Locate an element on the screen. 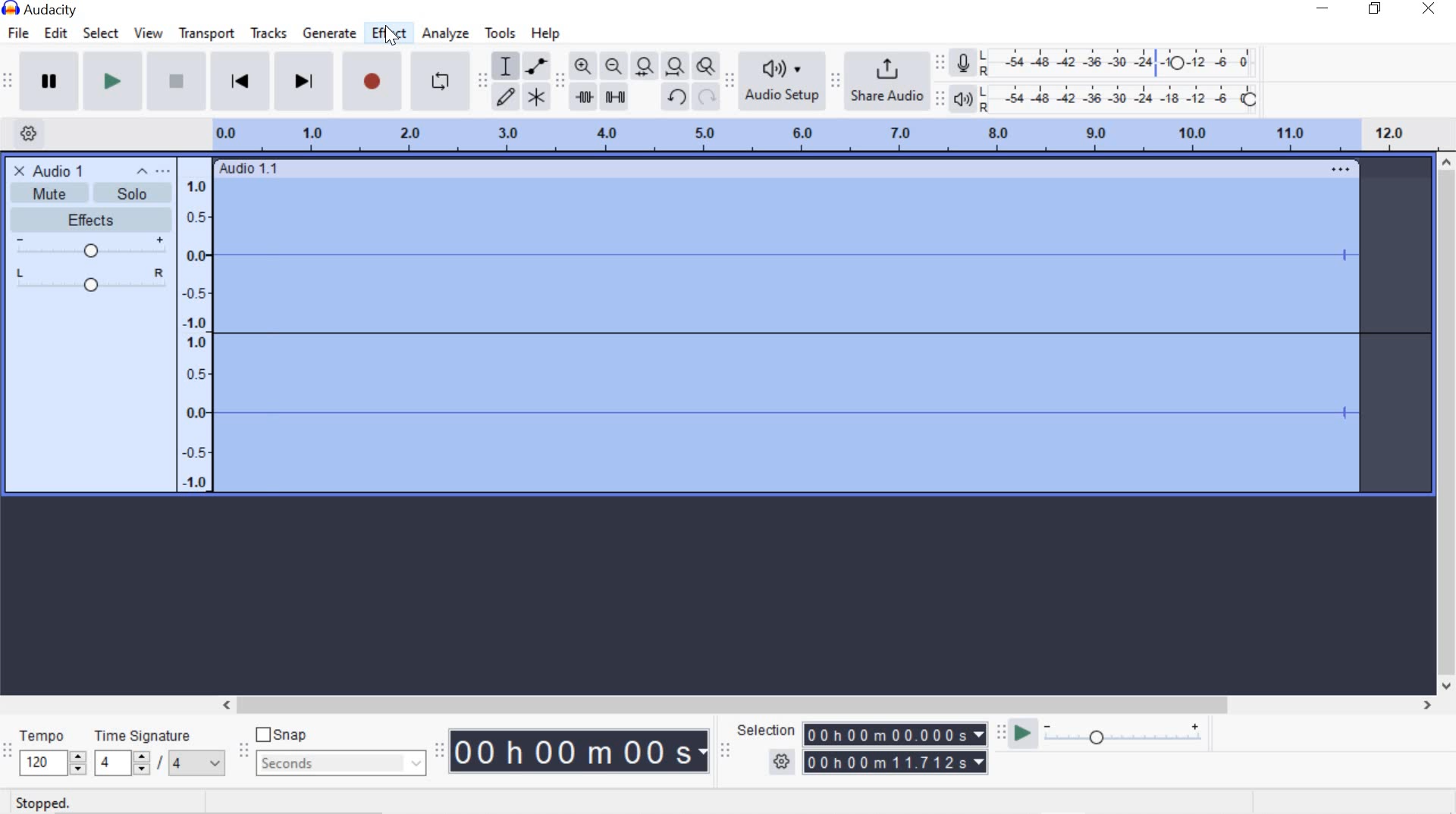  Snapping Toolbar is located at coordinates (246, 752).